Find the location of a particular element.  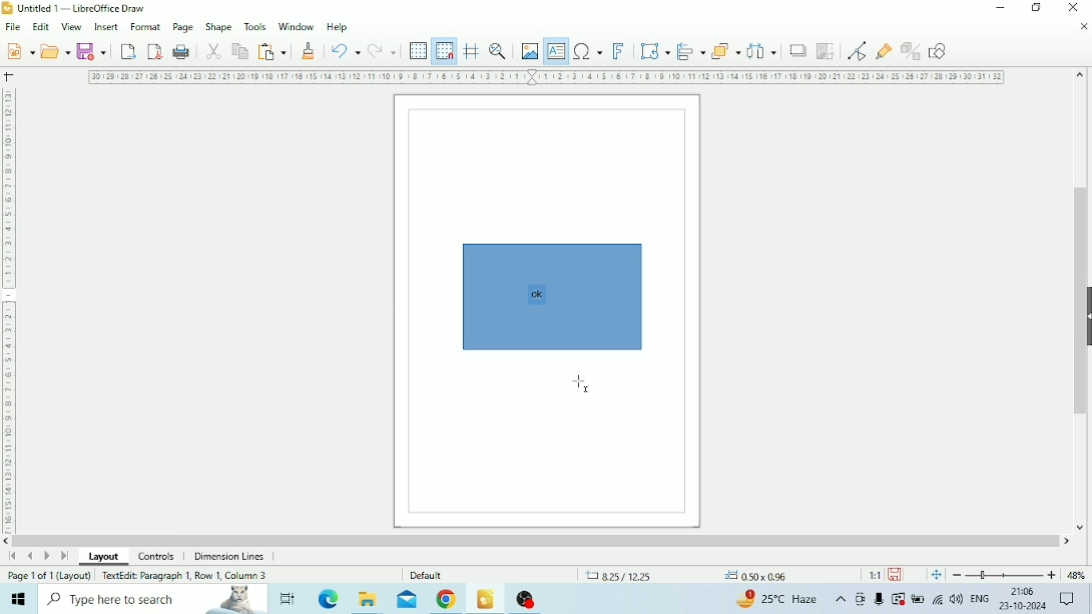

Open is located at coordinates (55, 51).